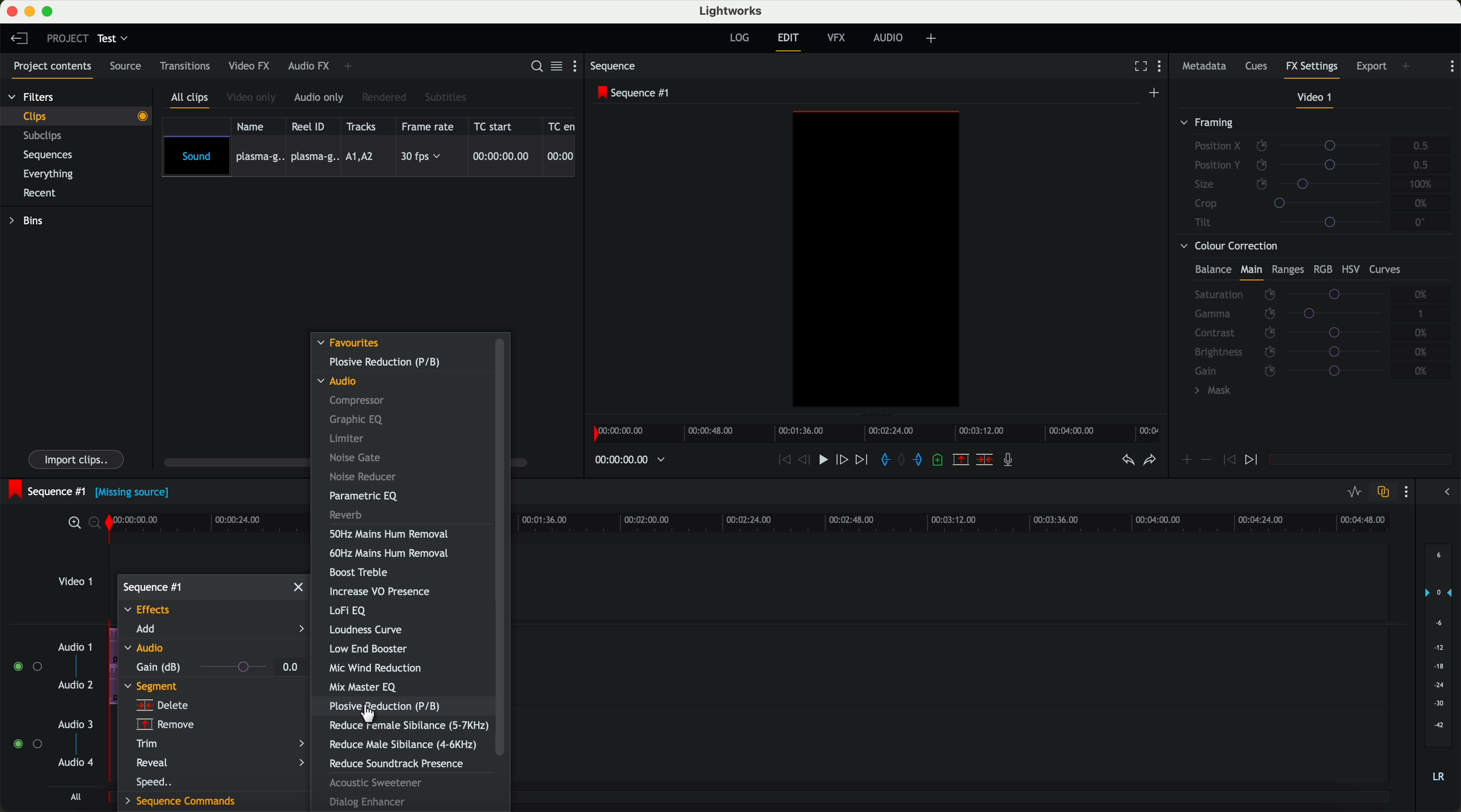 This screenshot has height=812, width=1461. Describe the element at coordinates (390, 553) in the screenshot. I see `goHz mains hum removal` at that location.